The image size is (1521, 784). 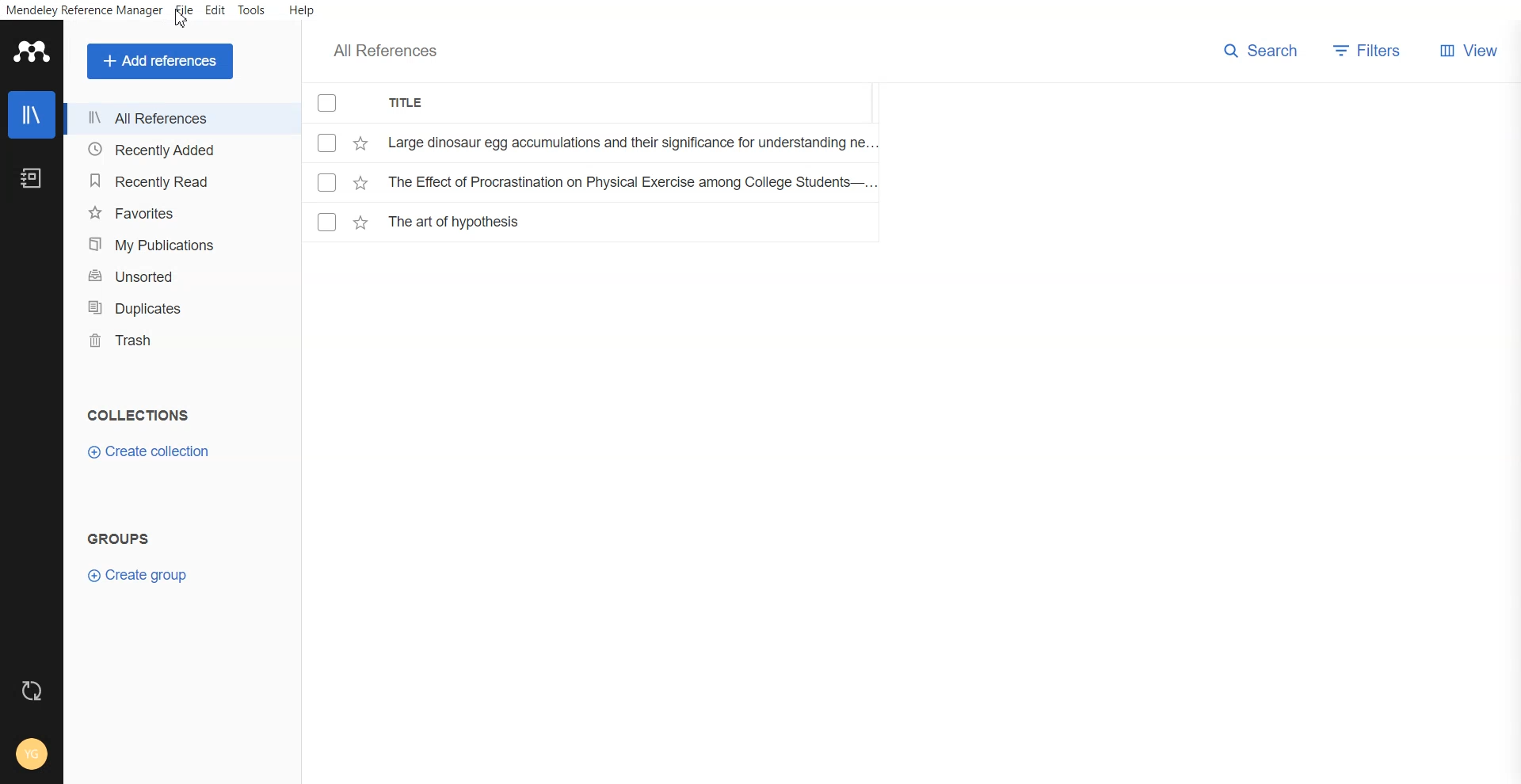 I want to click on Edit, so click(x=215, y=11).